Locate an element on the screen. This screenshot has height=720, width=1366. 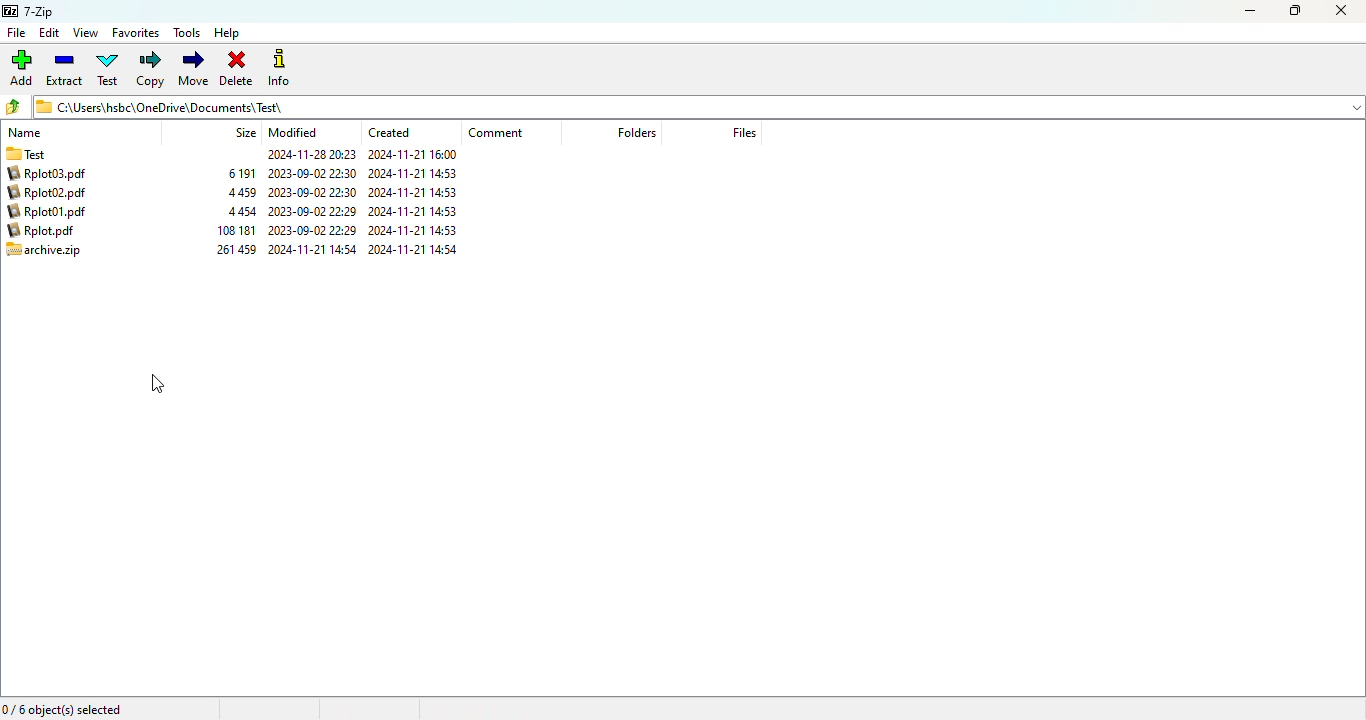
C:\Users\hsbc\OneDrive\Documents\ Test\ is located at coordinates (682, 107).